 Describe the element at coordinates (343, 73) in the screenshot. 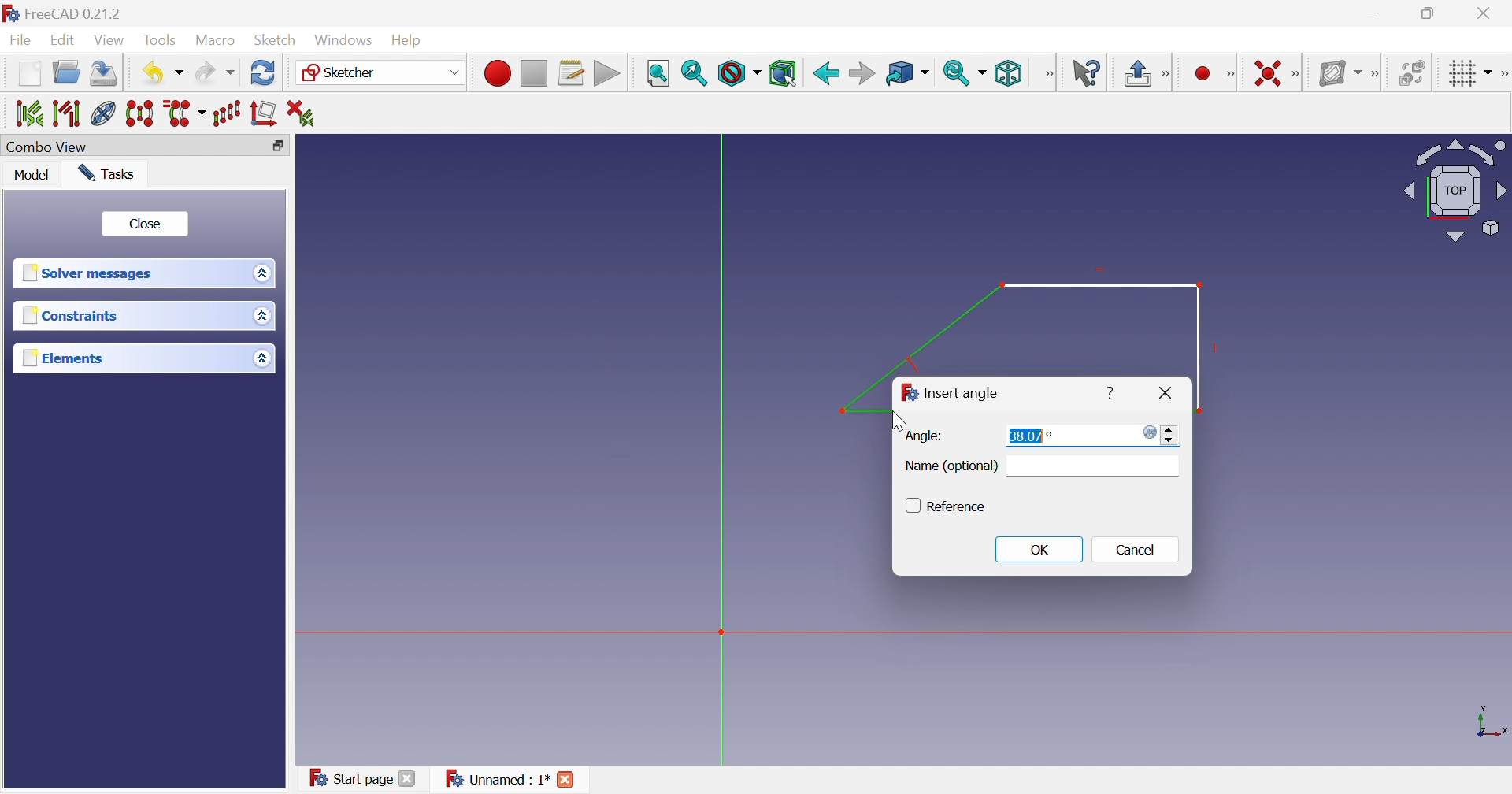

I see `Sketcher` at that location.